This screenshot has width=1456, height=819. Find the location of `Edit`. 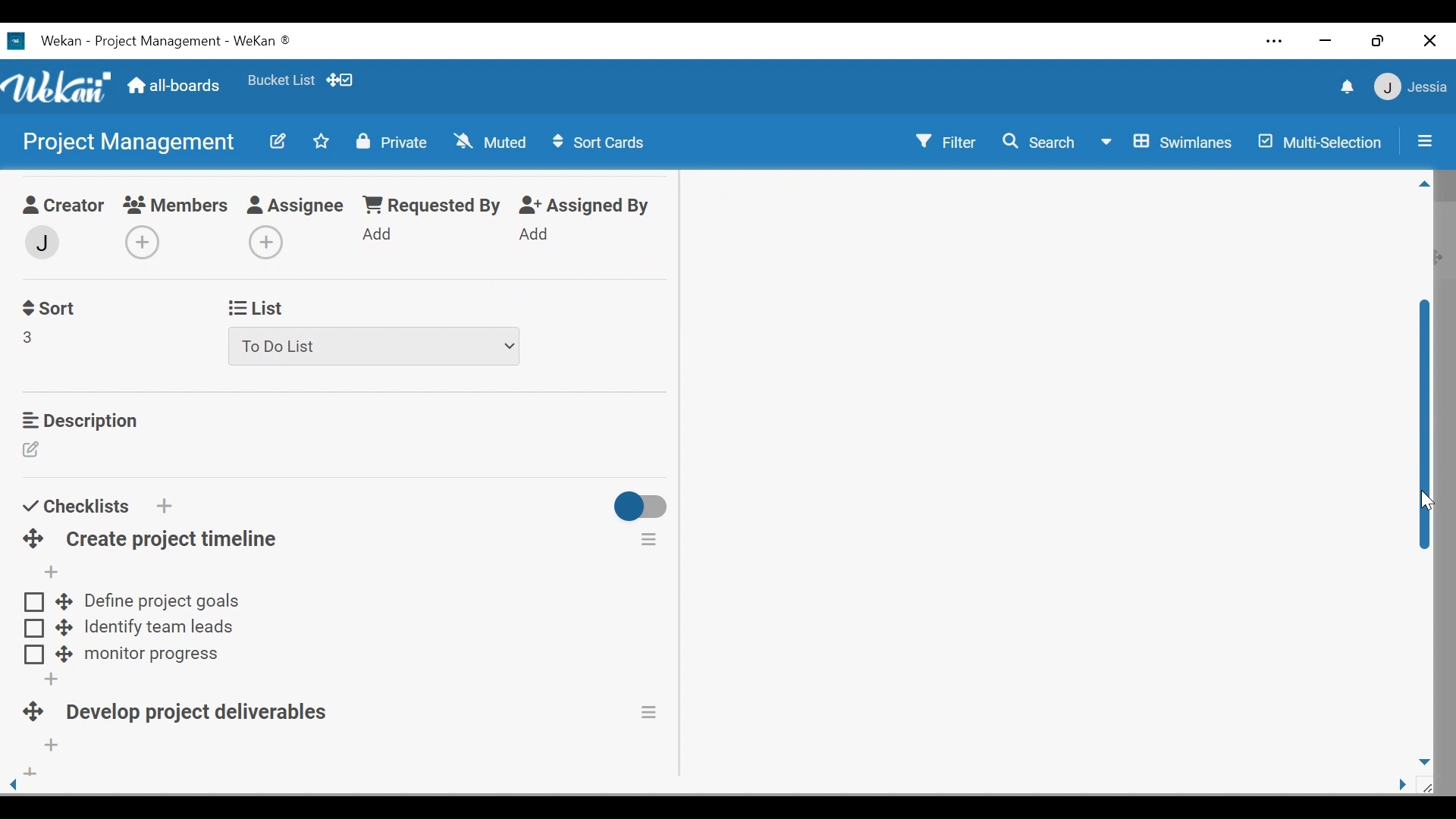

Edit is located at coordinates (33, 451).